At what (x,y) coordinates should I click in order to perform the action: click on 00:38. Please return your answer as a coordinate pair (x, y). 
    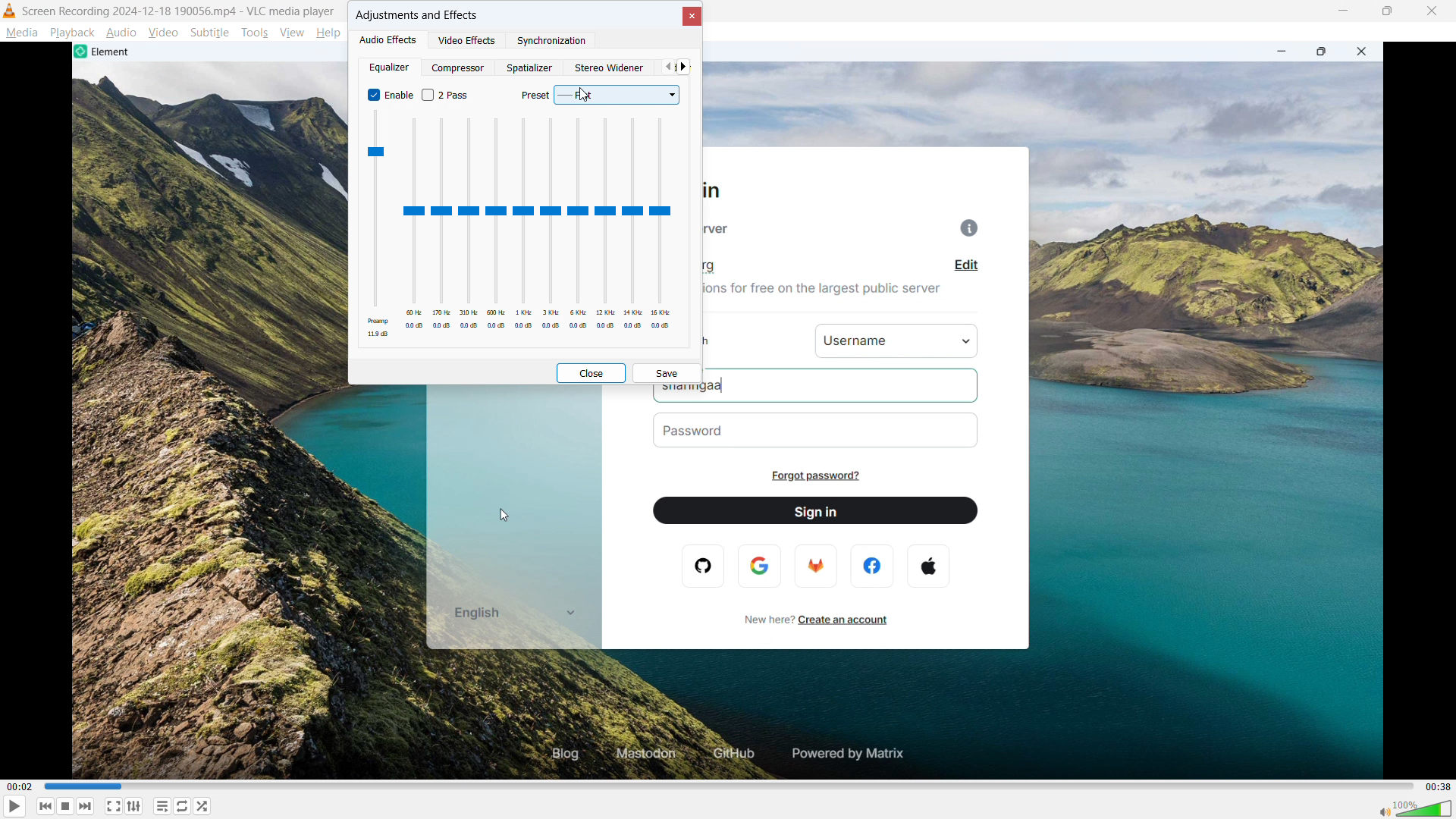
    Looking at the image, I should click on (1437, 786).